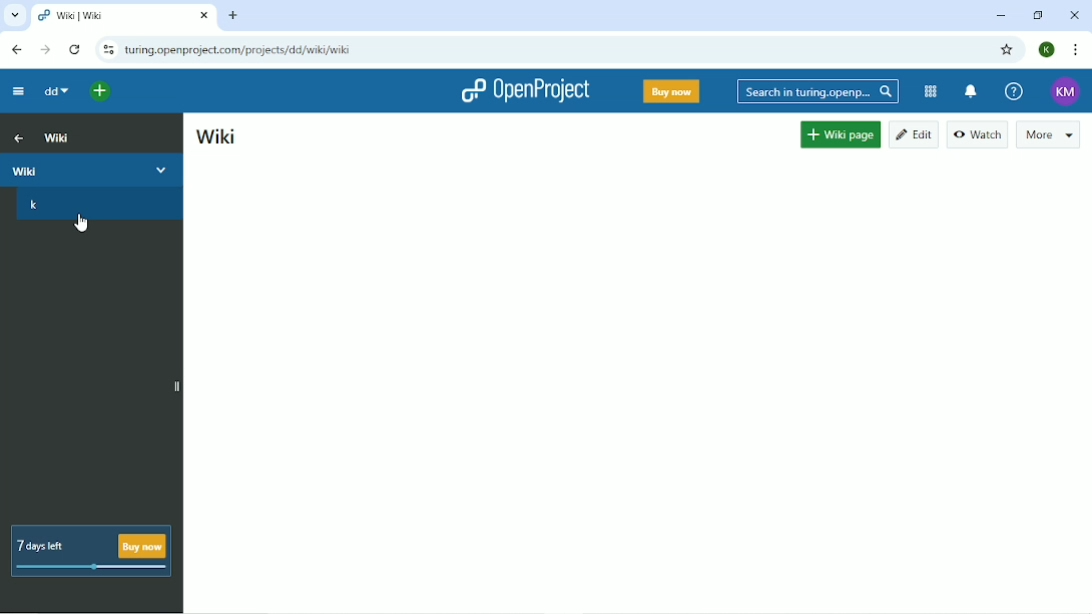  I want to click on k, so click(34, 205).